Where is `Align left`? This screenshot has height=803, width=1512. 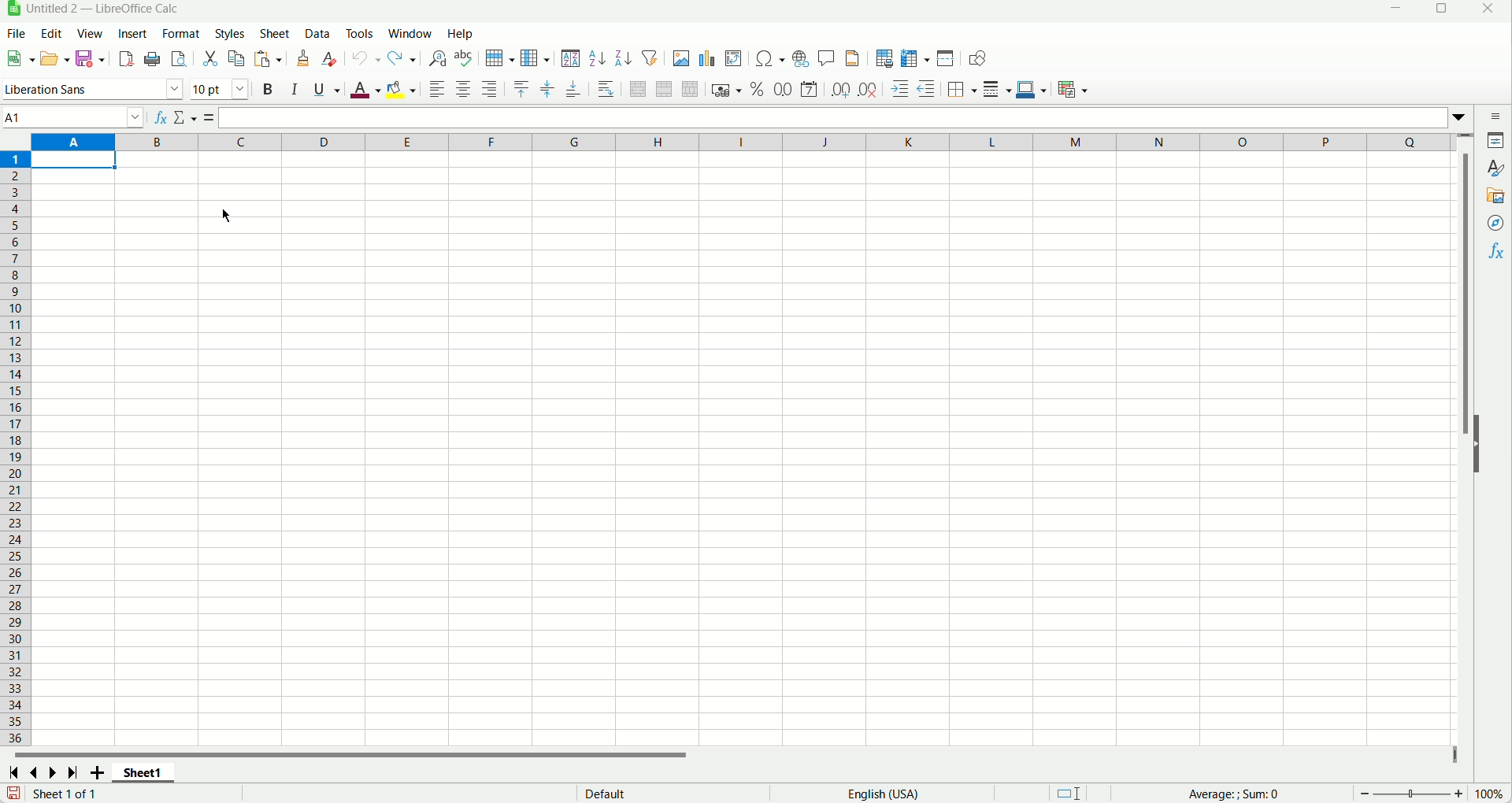
Align left is located at coordinates (437, 89).